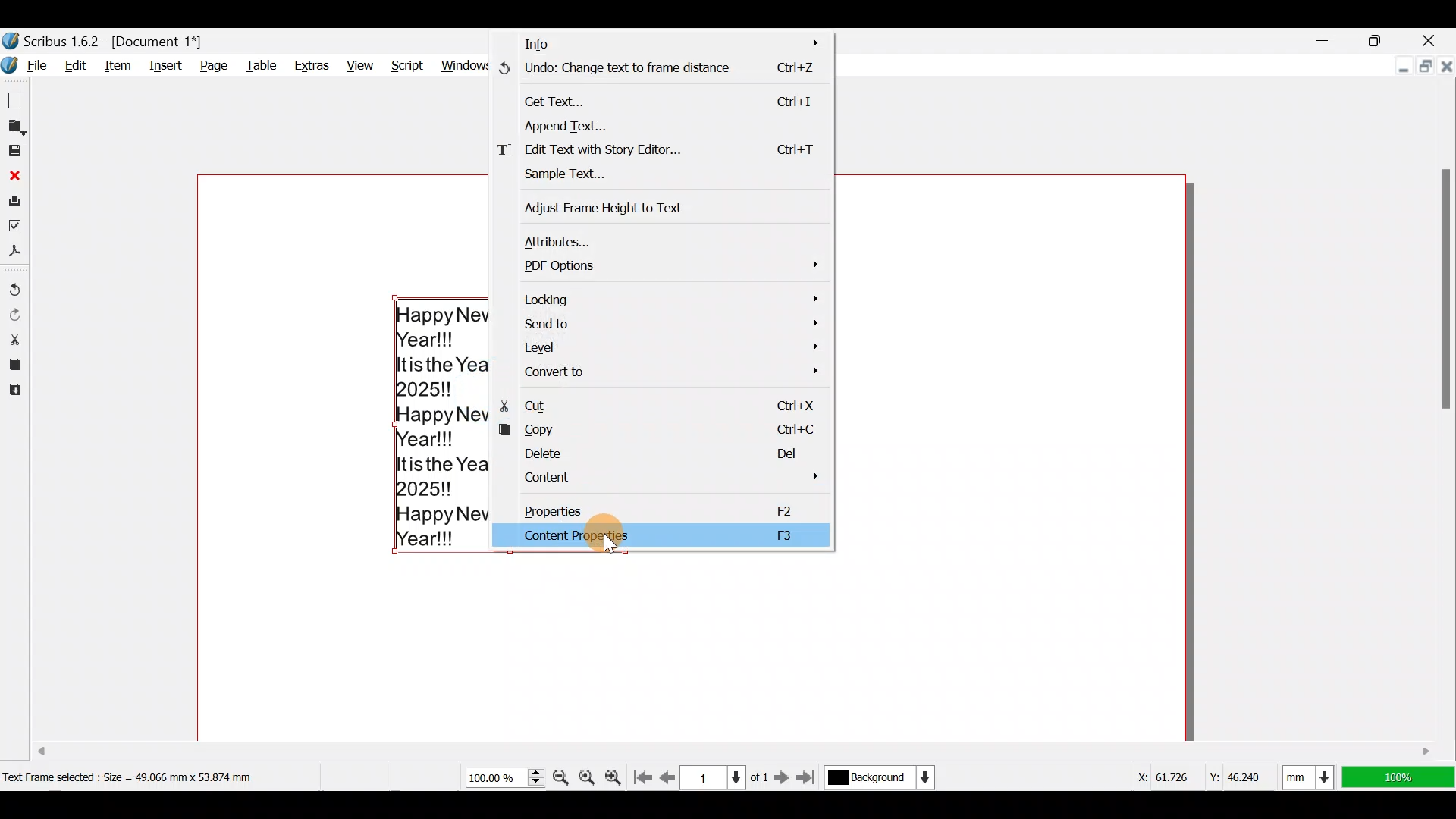  Describe the element at coordinates (810, 777) in the screenshot. I see `Go to the last page` at that location.